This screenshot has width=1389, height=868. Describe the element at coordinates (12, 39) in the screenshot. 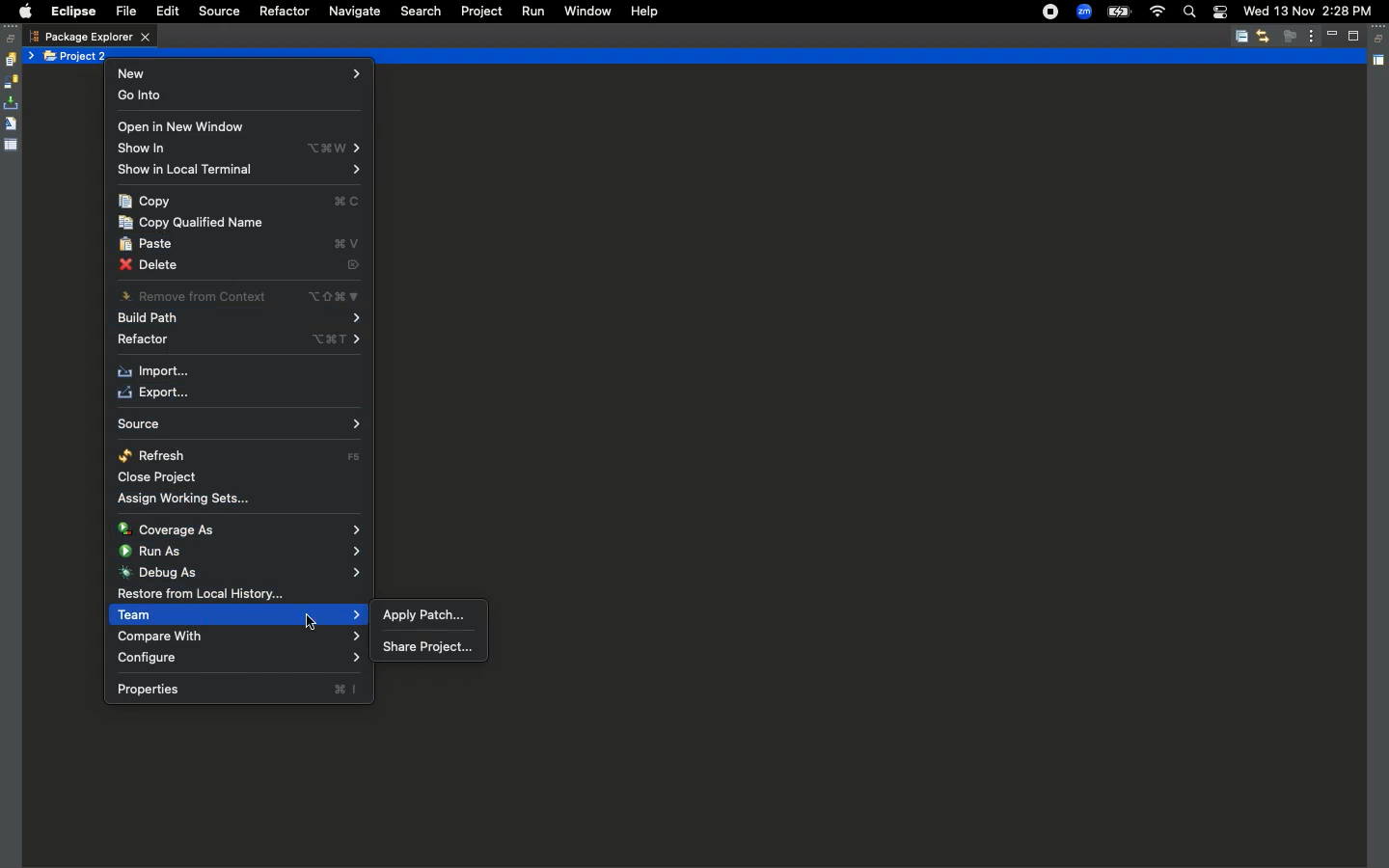

I see `Restore` at that location.